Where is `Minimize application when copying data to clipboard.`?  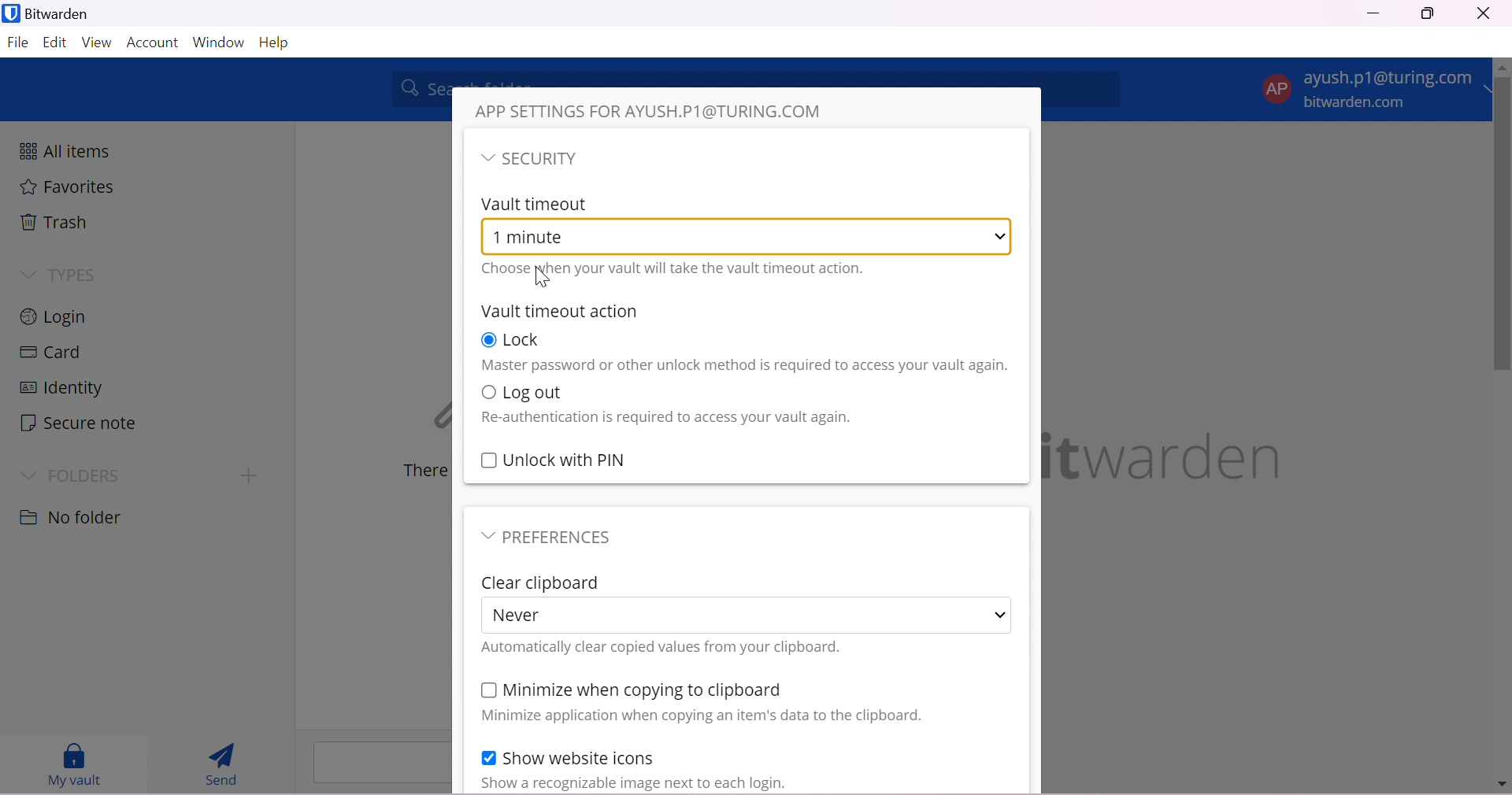
Minimize application when copying data to clipboard. is located at coordinates (700, 718).